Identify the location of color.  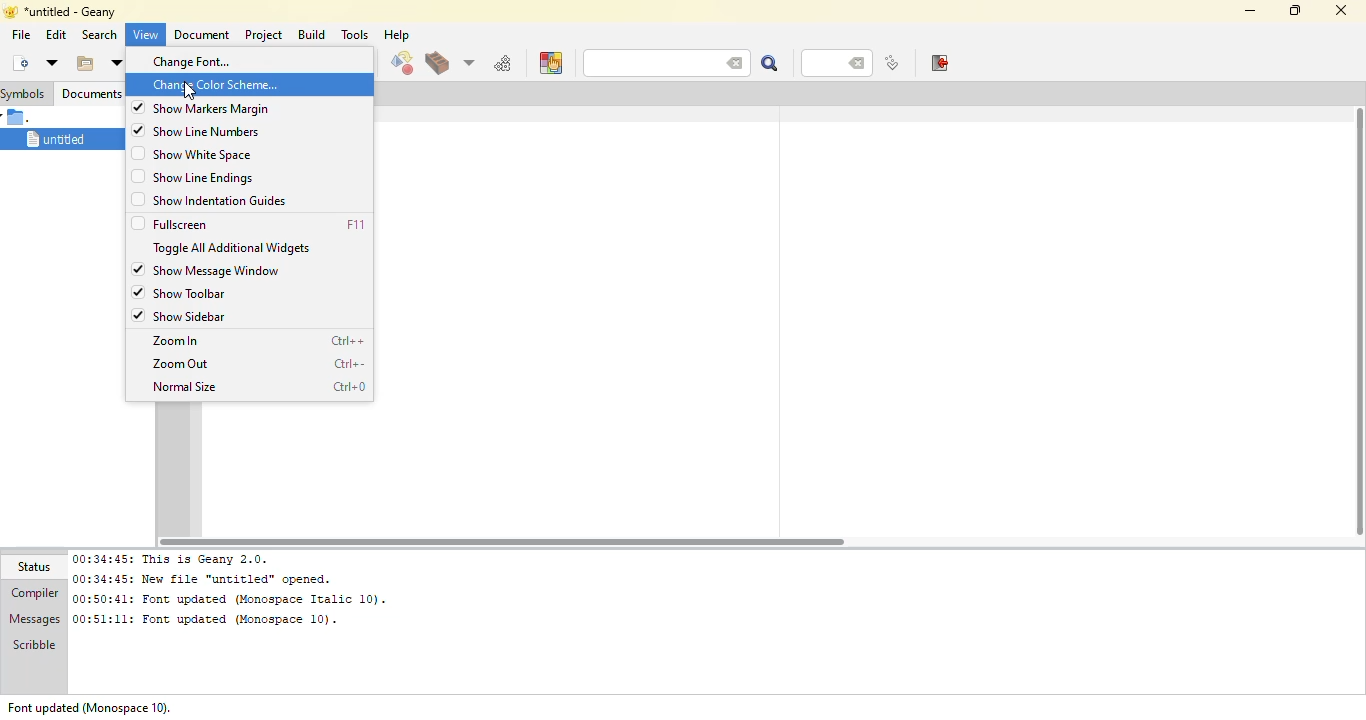
(550, 63).